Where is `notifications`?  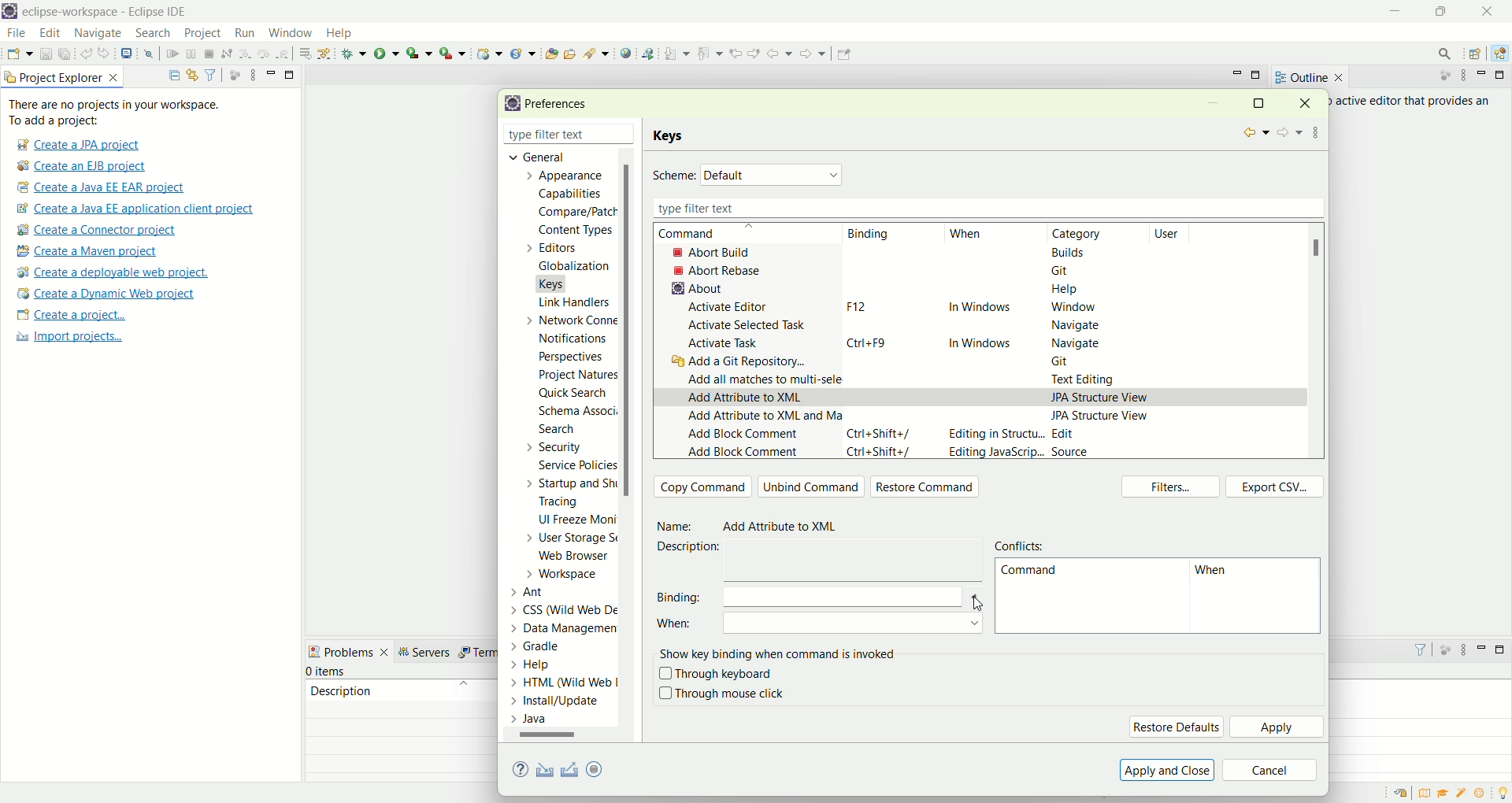 notifications is located at coordinates (578, 338).